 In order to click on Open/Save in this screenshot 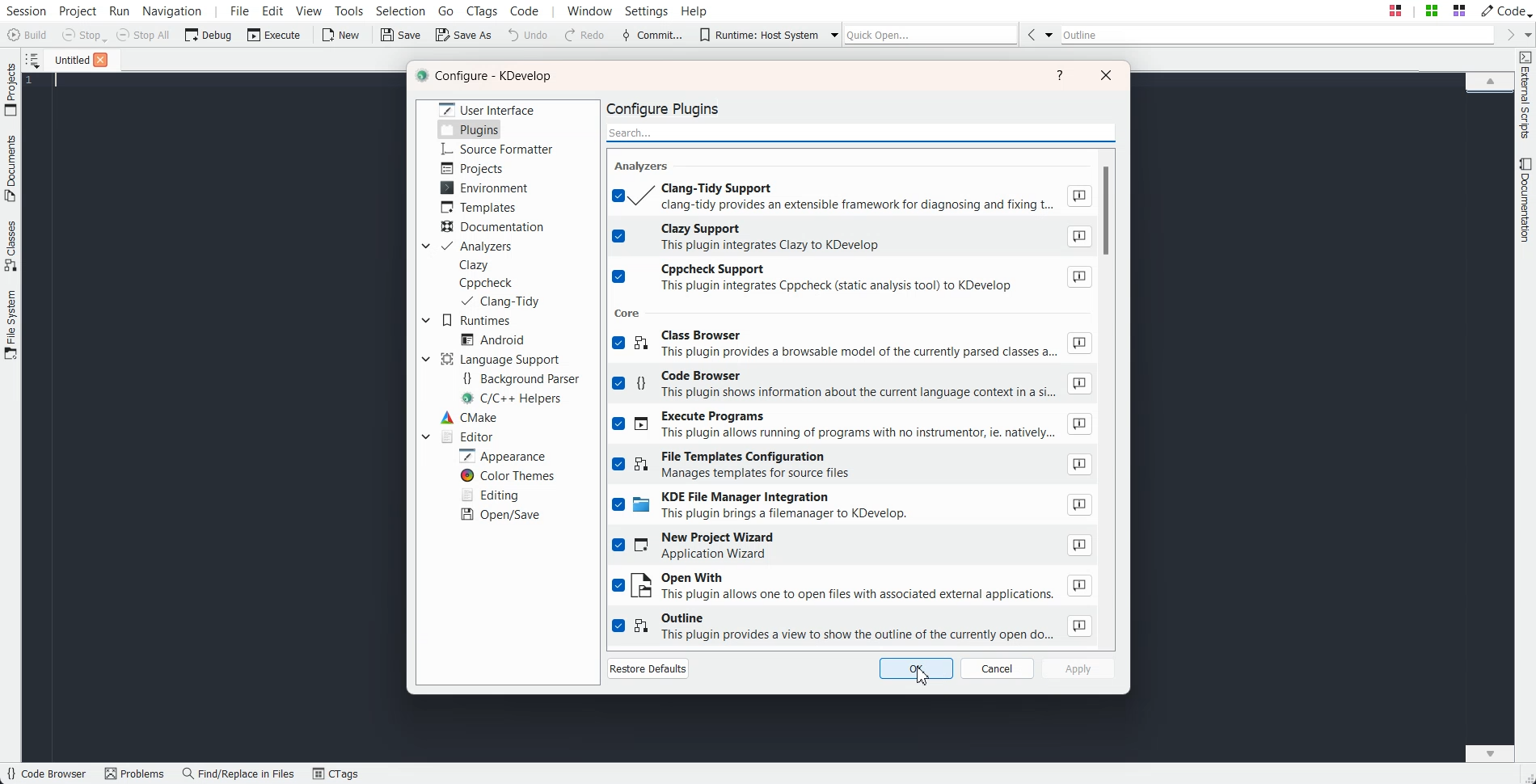, I will do `click(500, 515)`.